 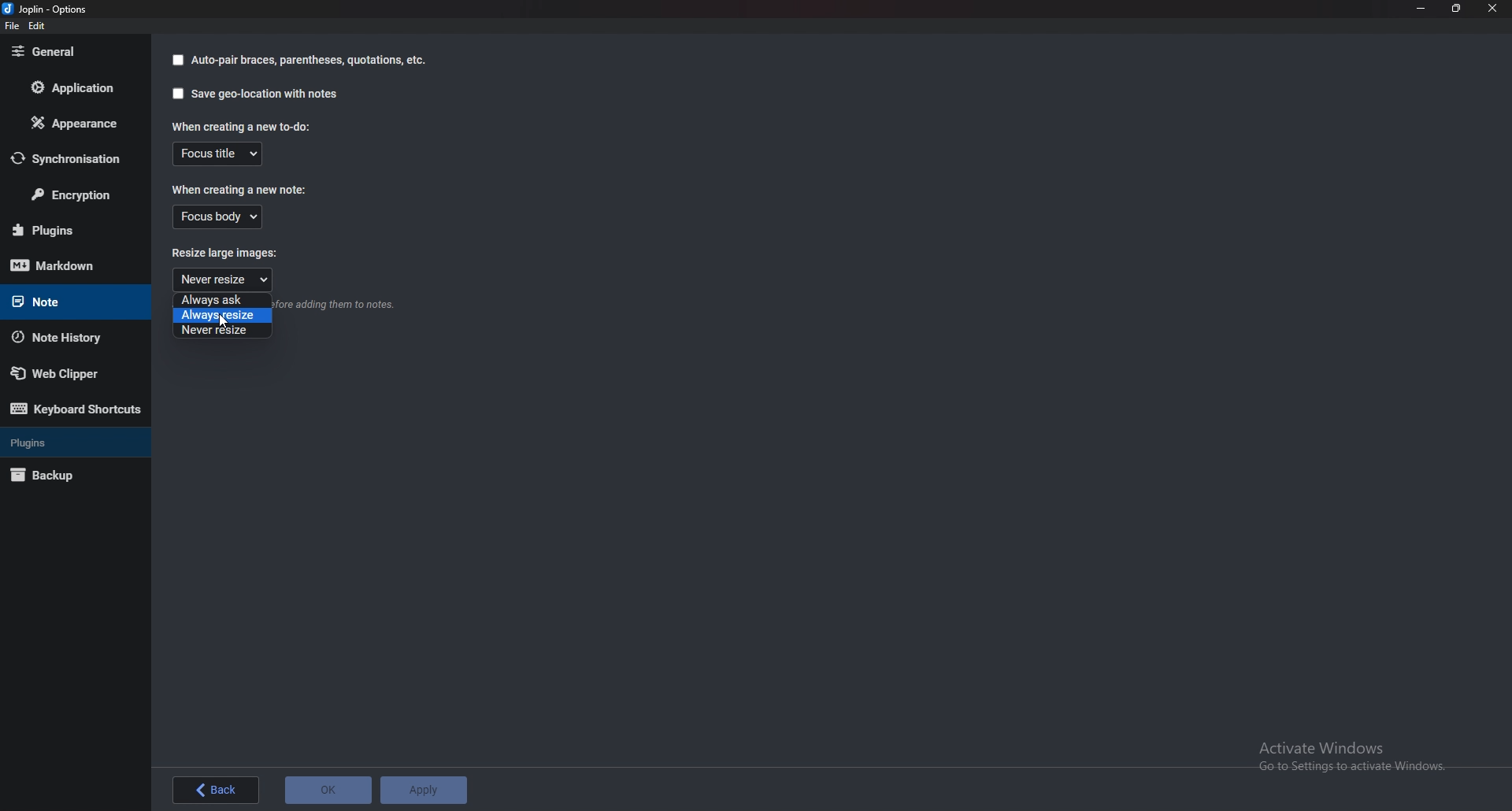 I want to click on minimize, so click(x=1422, y=8).